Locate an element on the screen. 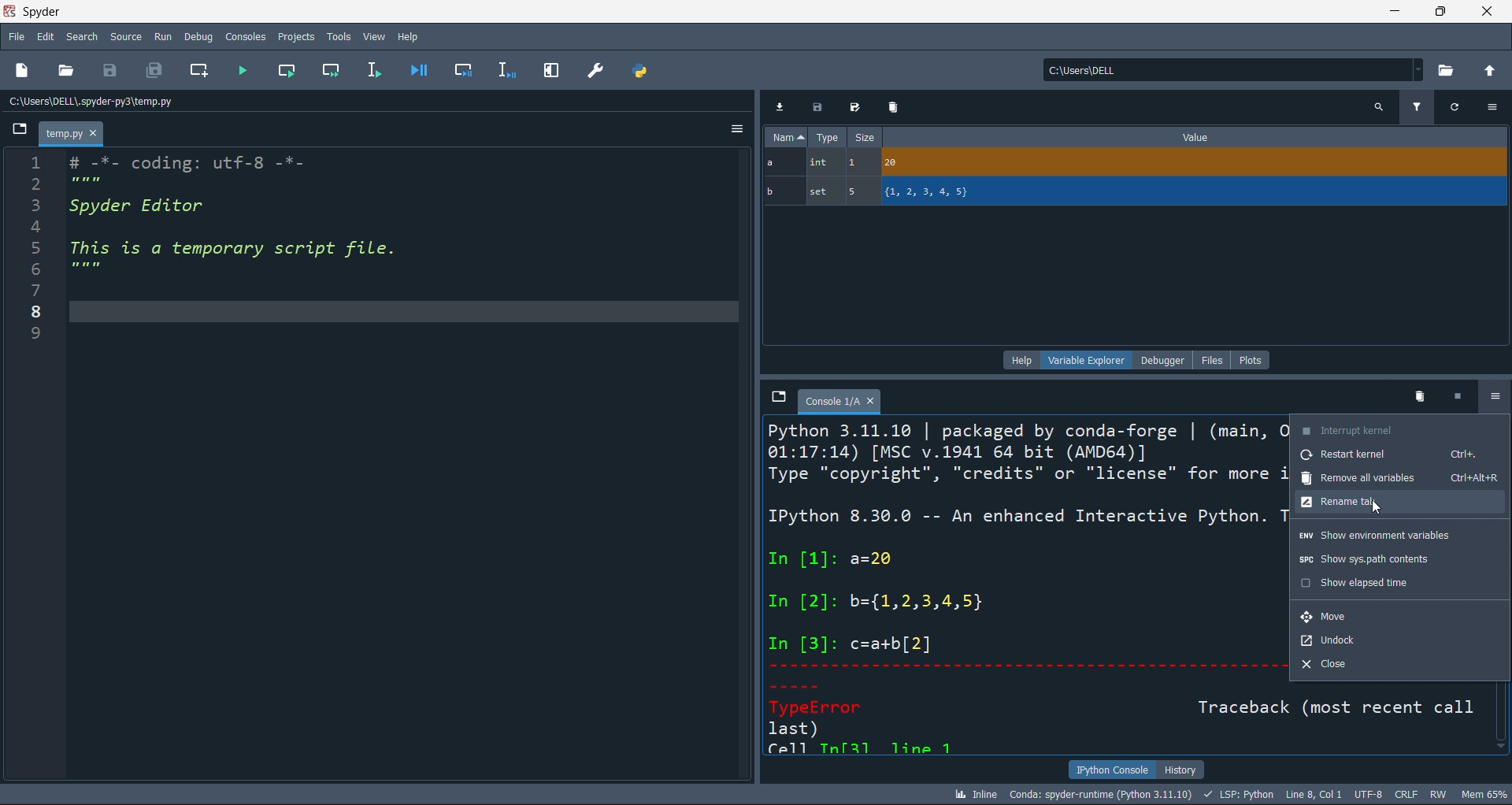  CRLF is located at coordinates (1407, 796).